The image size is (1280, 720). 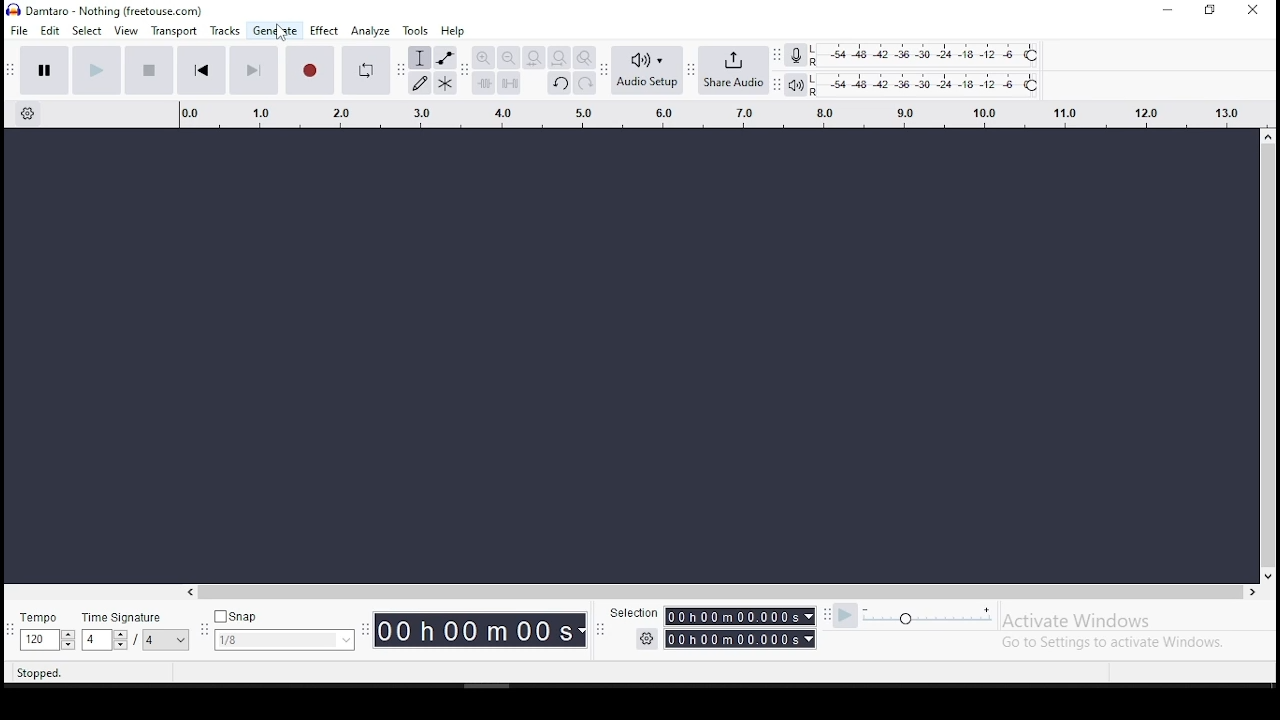 What do you see at coordinates (560, 57) in the screenshot?
I see `fit project to width` at bounding box center [560, 57].